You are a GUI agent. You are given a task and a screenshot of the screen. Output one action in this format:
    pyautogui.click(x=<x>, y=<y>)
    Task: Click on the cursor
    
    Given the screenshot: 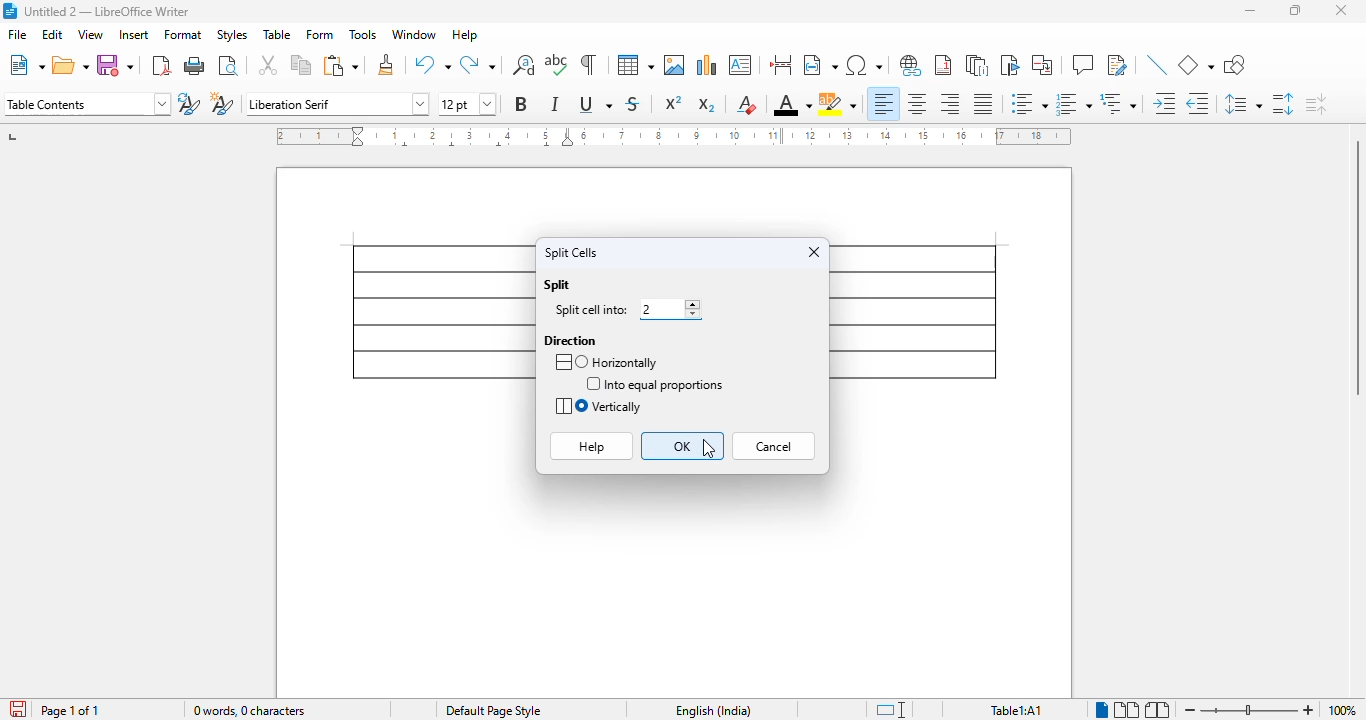 What is the action you would take?
    pyautogui.click(x=708, y=448)
    